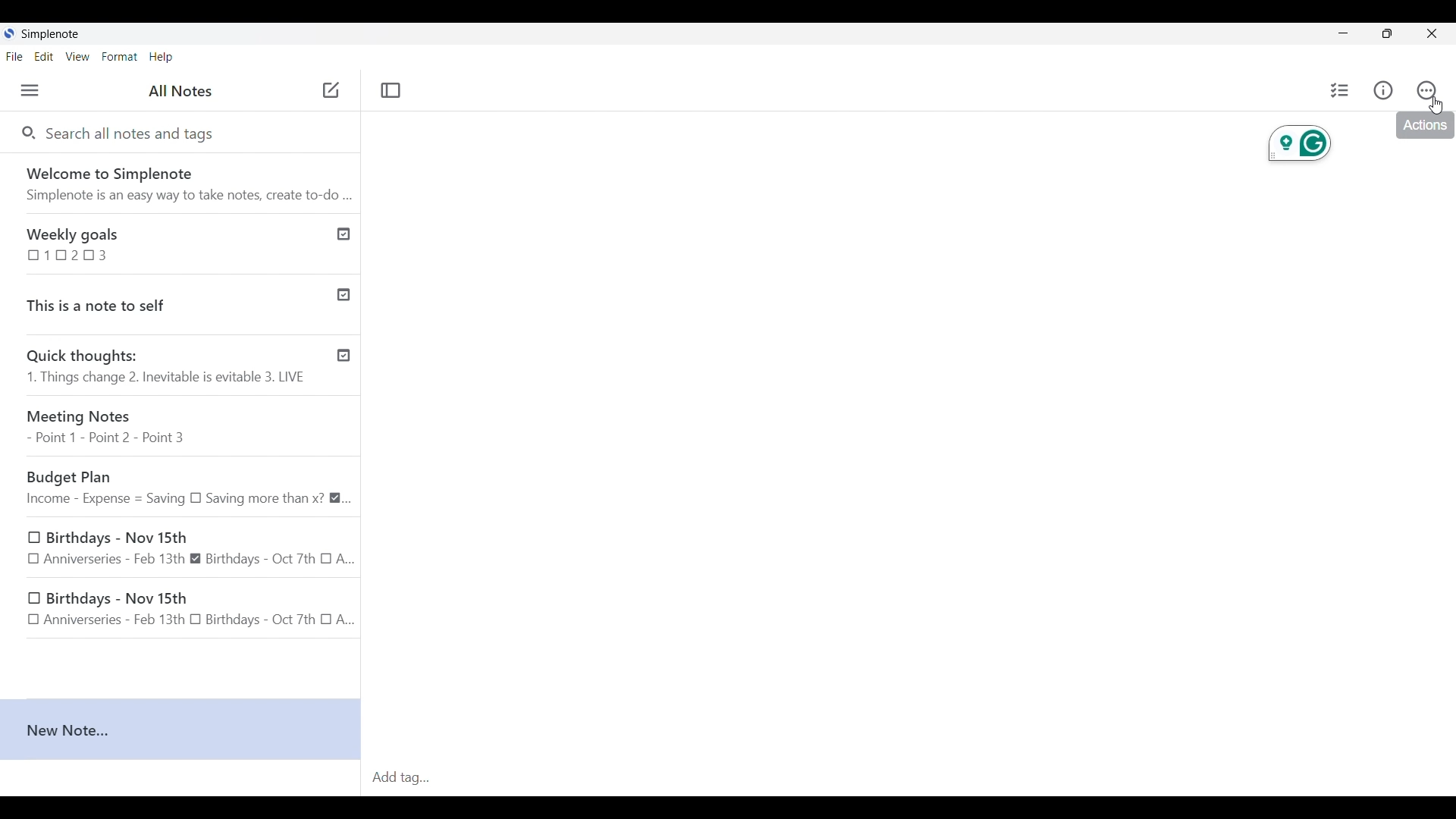  I want to click on This is a note to self, so click(162, 302).